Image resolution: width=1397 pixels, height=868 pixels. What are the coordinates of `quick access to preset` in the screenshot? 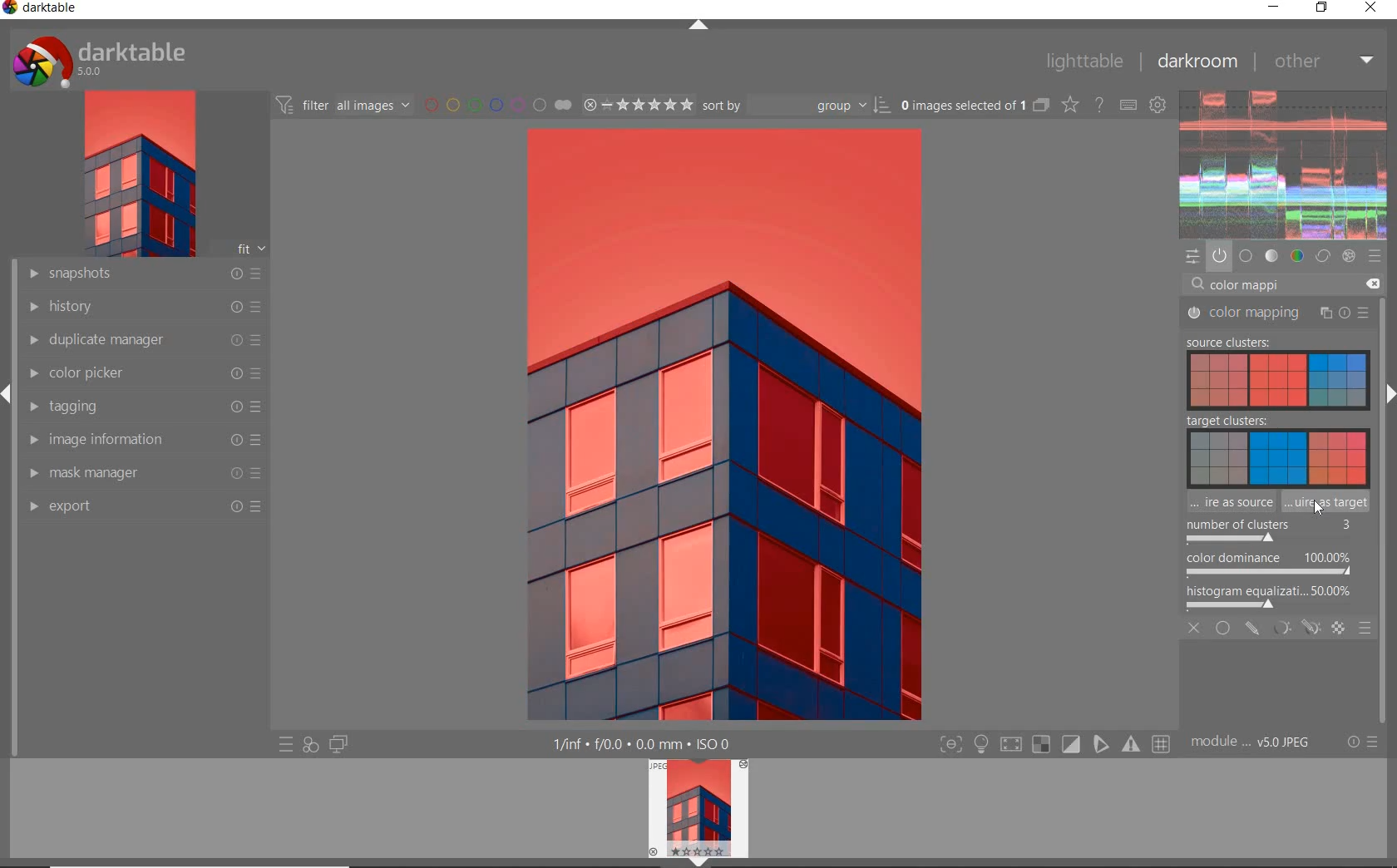 It's located at (286, 745).